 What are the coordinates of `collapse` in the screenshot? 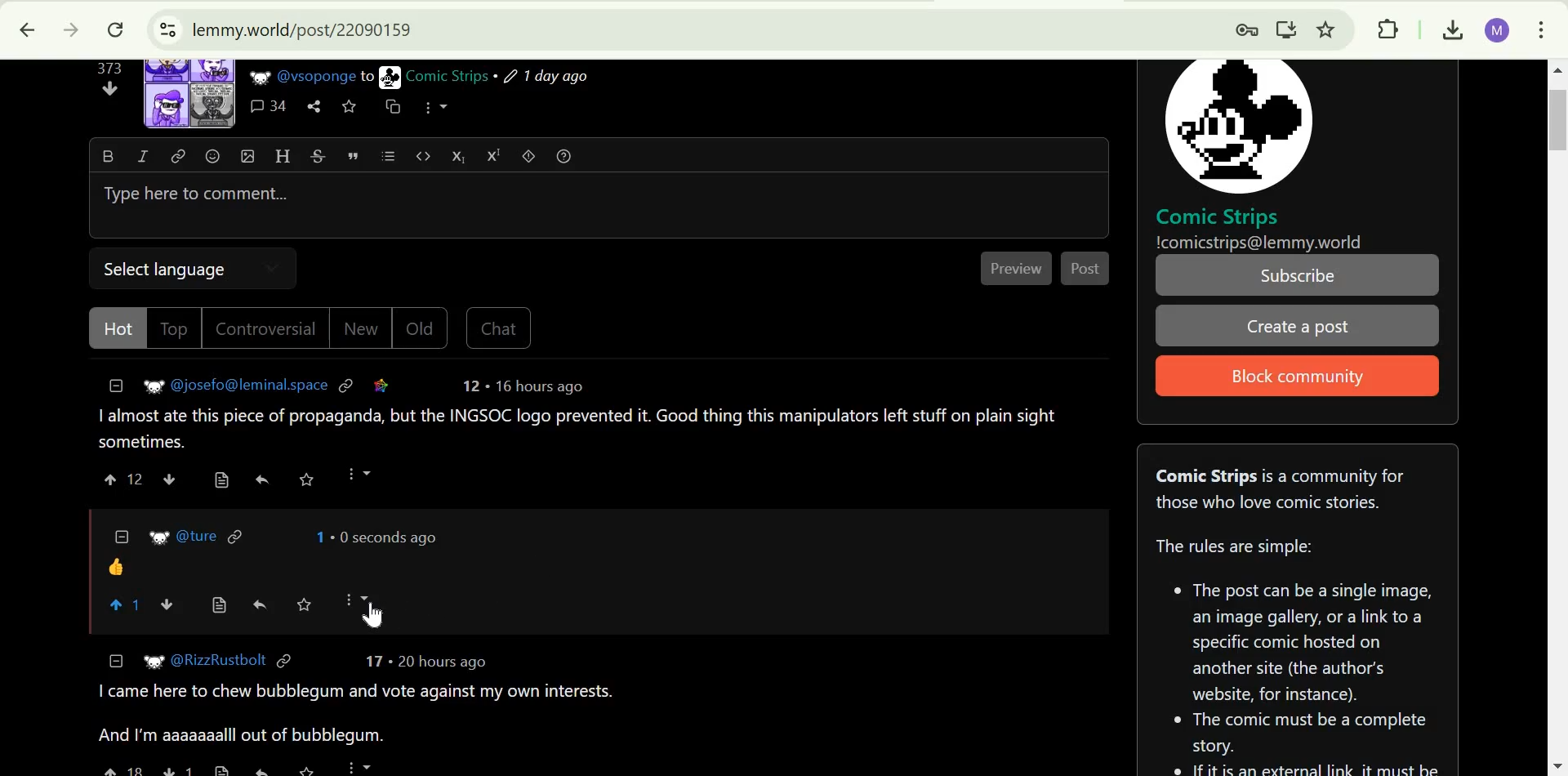 It's located at (117, 660).